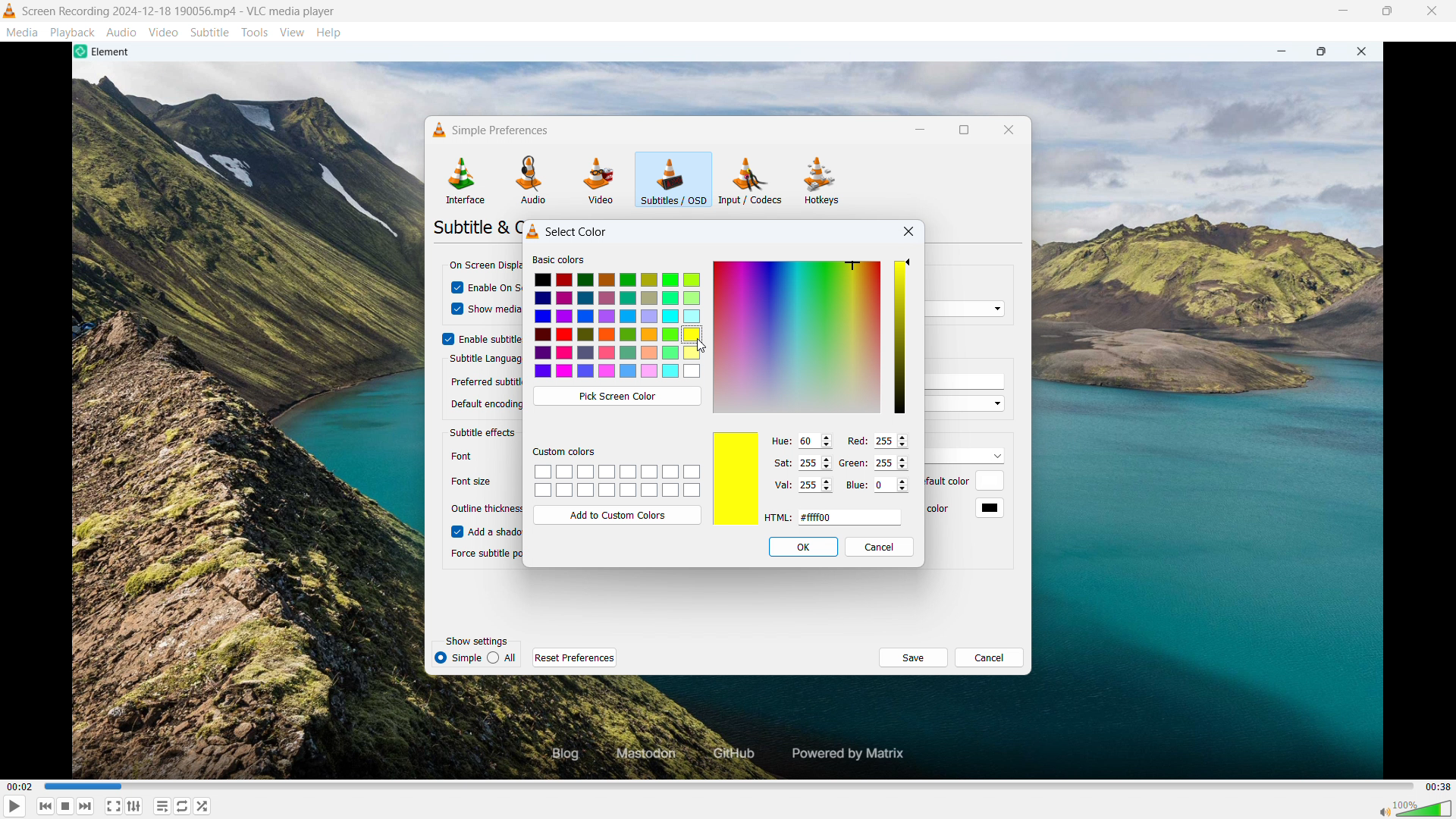 The width and height of the screenshot is (1456, 819). I want to click on cursor, so click(454, 310).